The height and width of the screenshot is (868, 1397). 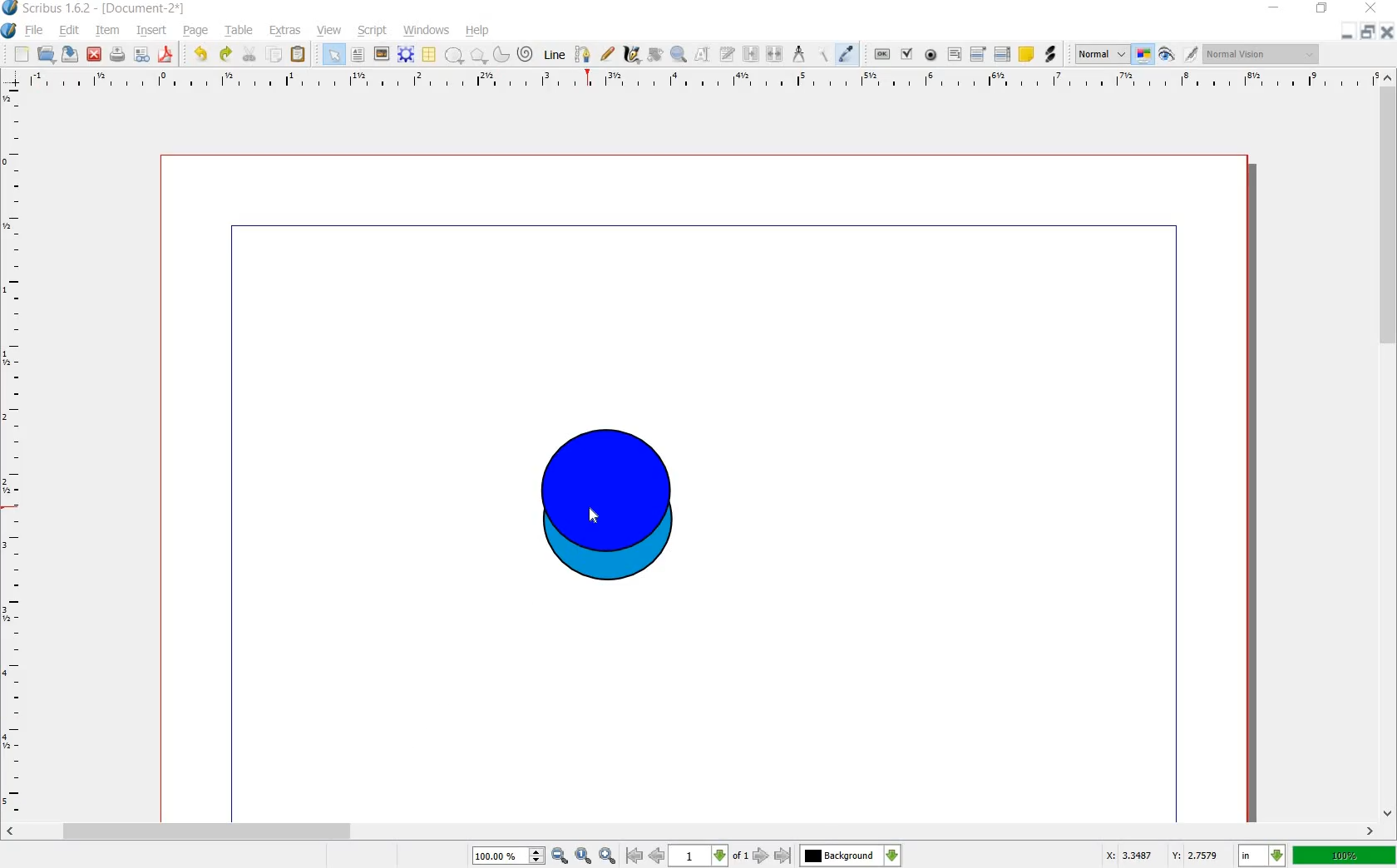 What do you see at coordinates (426, 31) in the screenshot?
I see `windows` at bounding box center [426, 31].